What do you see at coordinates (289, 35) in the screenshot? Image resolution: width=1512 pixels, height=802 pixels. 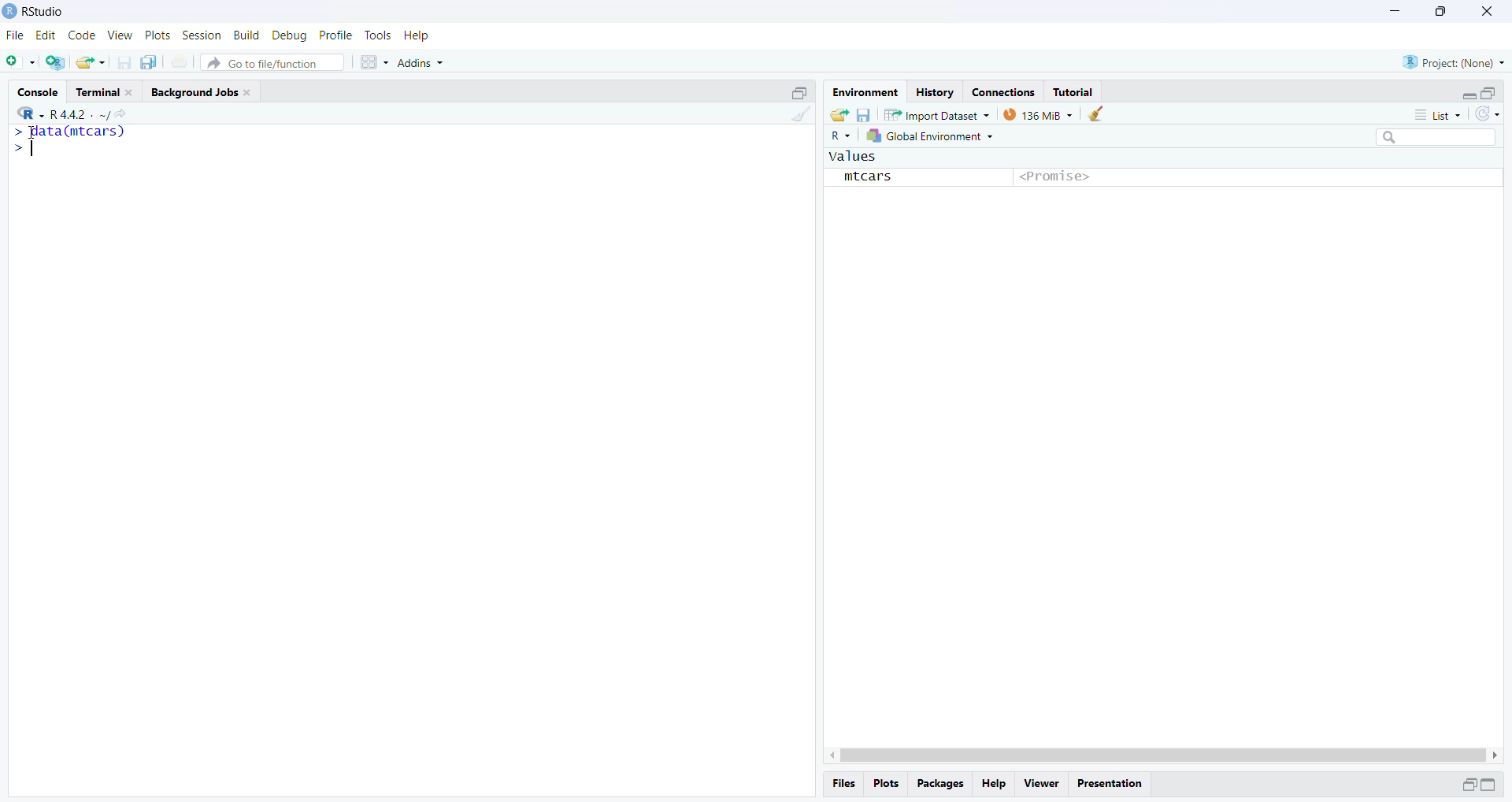 I see `Debug` at bounding box center [289, 35].